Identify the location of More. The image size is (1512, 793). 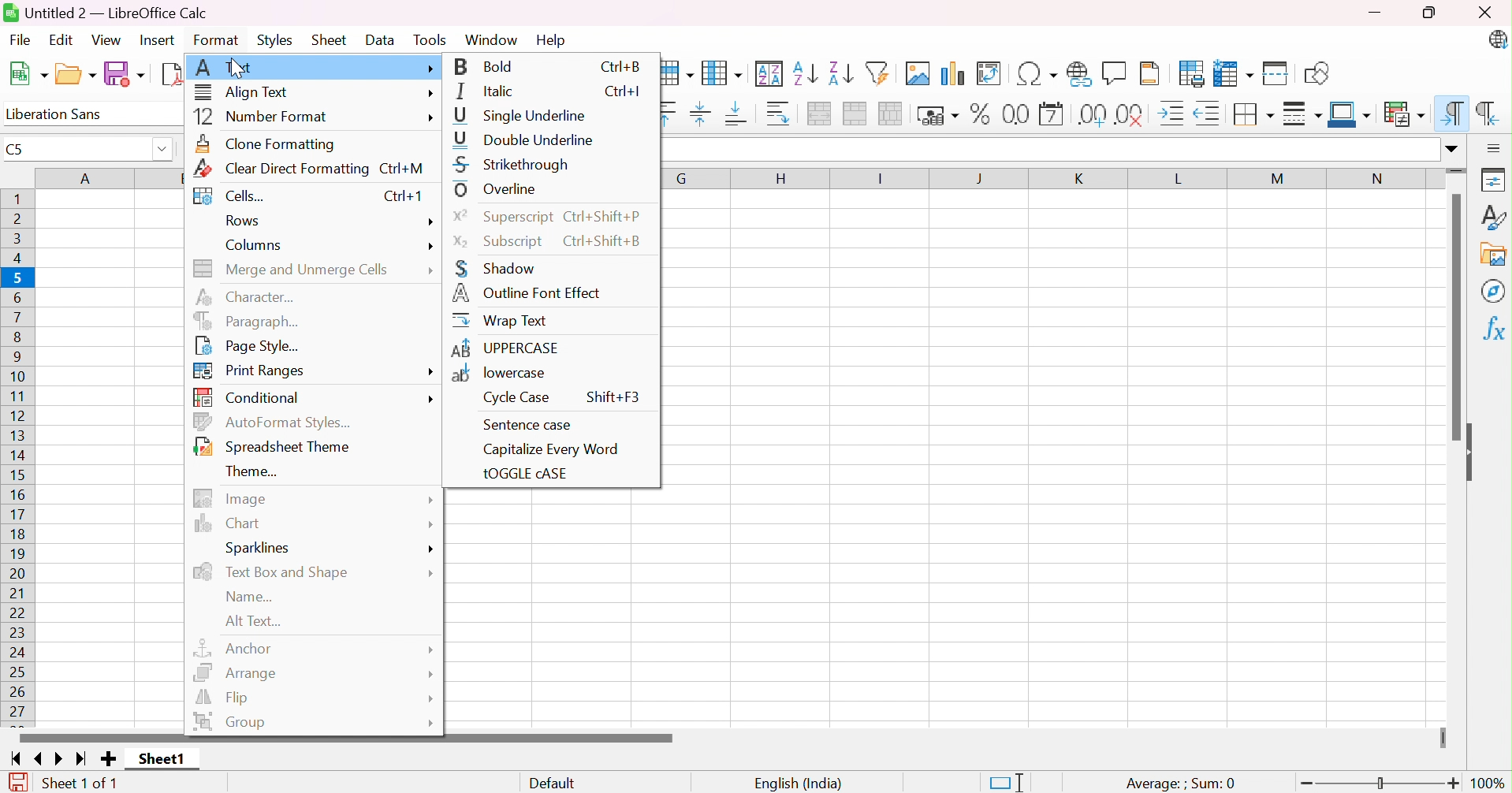
(431, 275).